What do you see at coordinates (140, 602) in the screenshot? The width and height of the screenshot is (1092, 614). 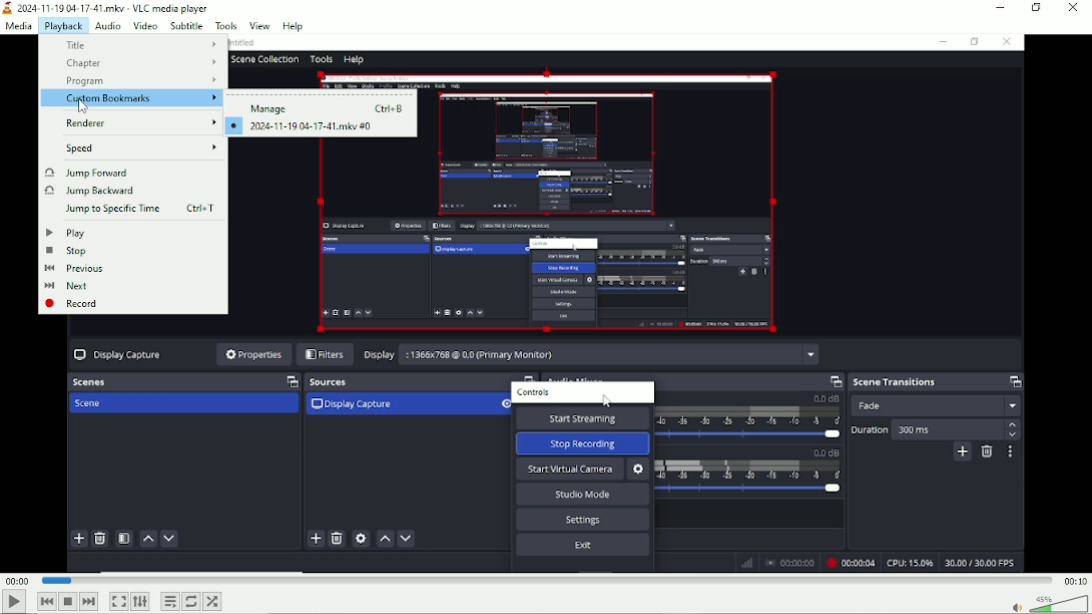 I see `Show extended settings` at bounding box center [140, 602].